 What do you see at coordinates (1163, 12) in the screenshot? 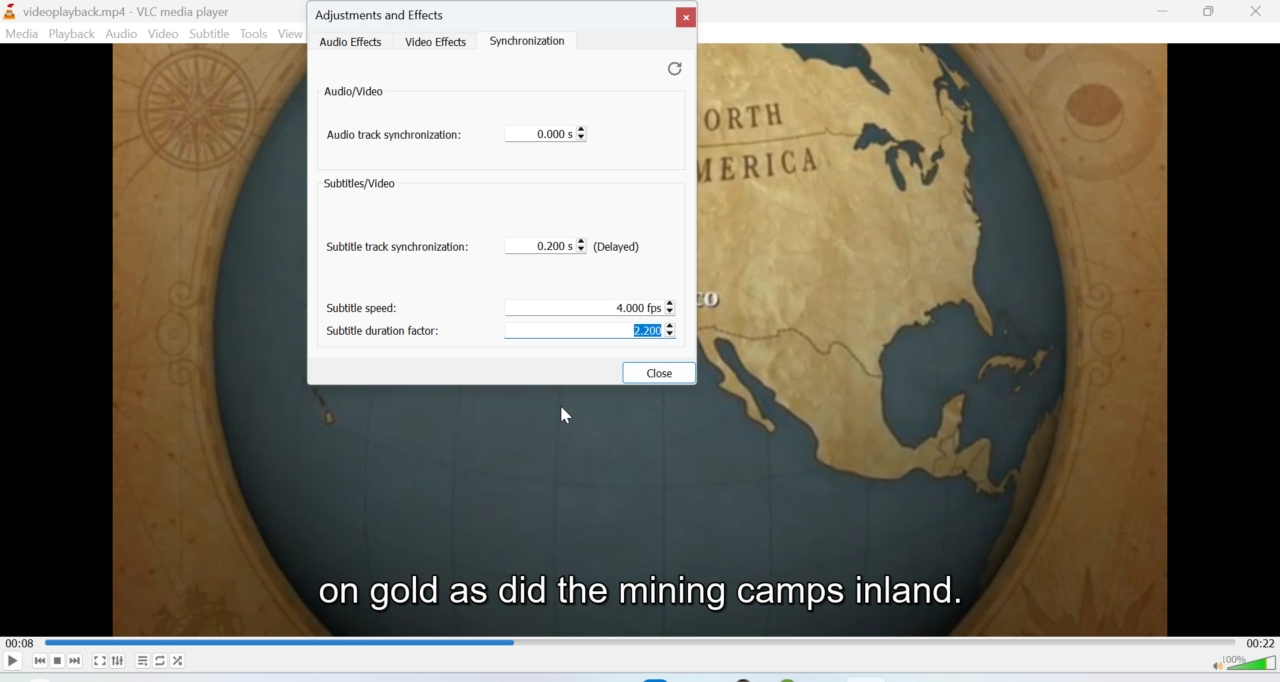
I see `Minimise` at bounding box center [1163, 12].